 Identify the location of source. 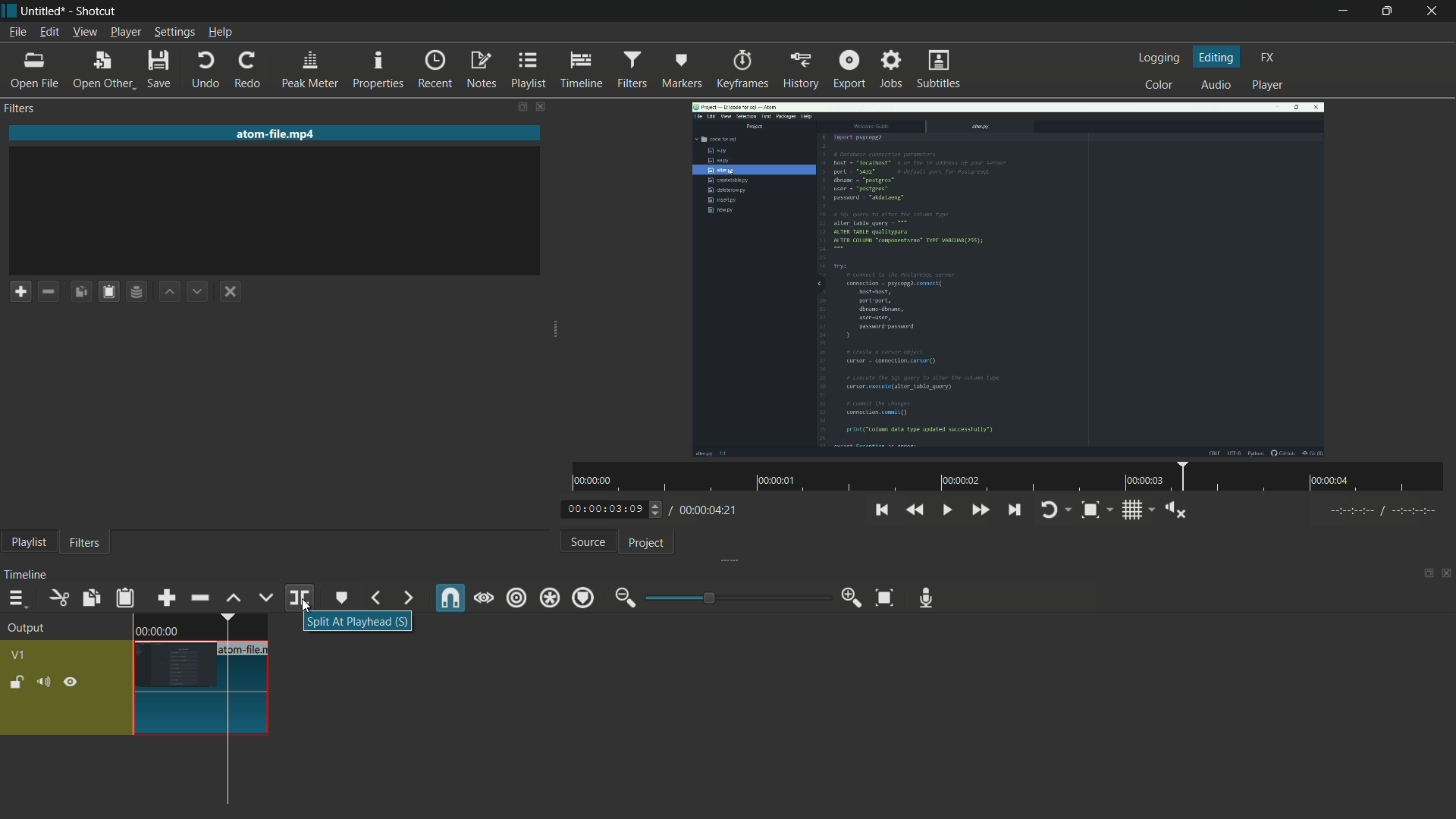
(590, 543).